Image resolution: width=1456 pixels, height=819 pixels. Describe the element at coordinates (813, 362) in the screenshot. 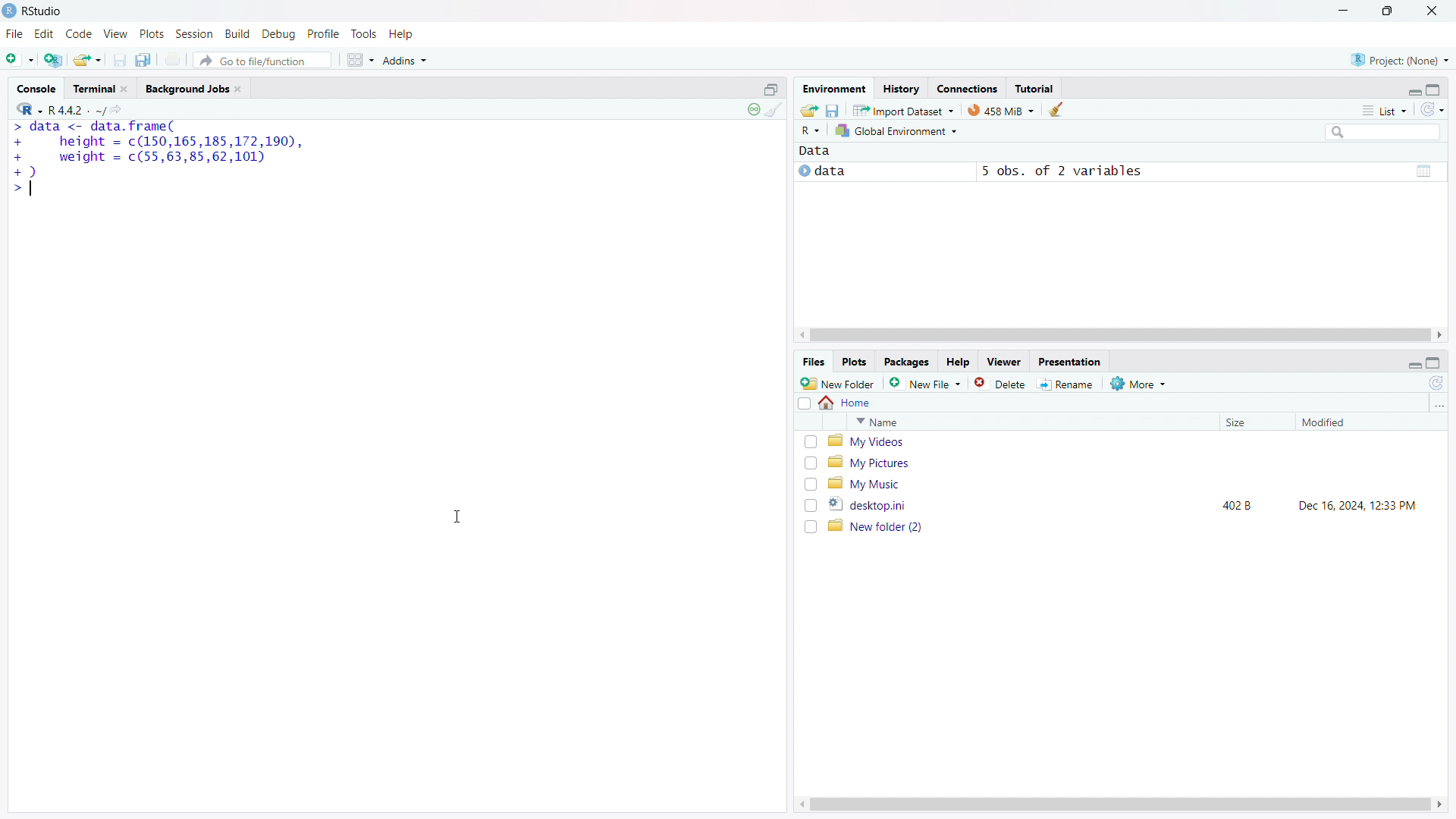

I see `files` at that location.